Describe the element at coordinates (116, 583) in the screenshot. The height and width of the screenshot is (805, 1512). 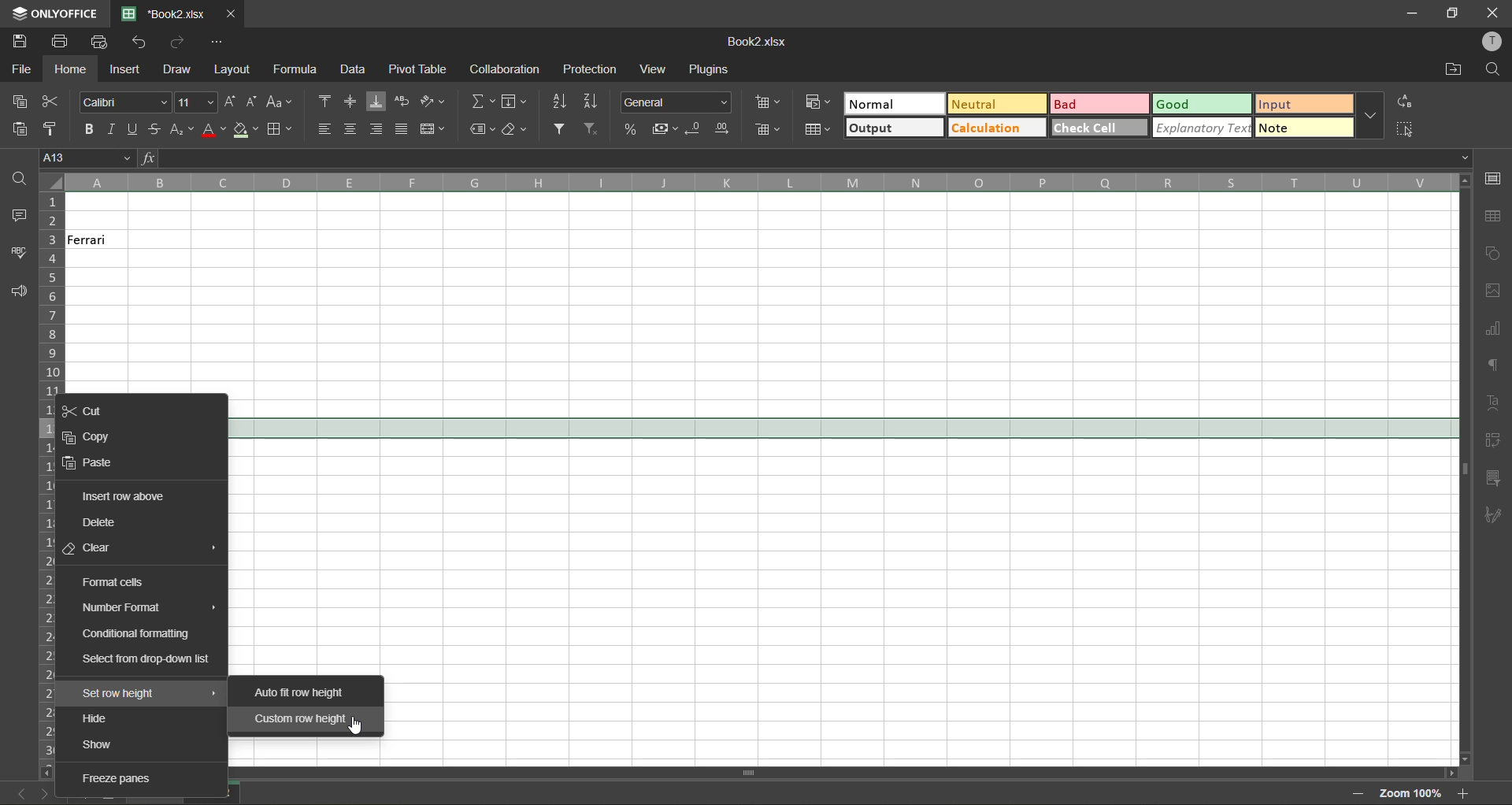
I see `format cells` at that location.